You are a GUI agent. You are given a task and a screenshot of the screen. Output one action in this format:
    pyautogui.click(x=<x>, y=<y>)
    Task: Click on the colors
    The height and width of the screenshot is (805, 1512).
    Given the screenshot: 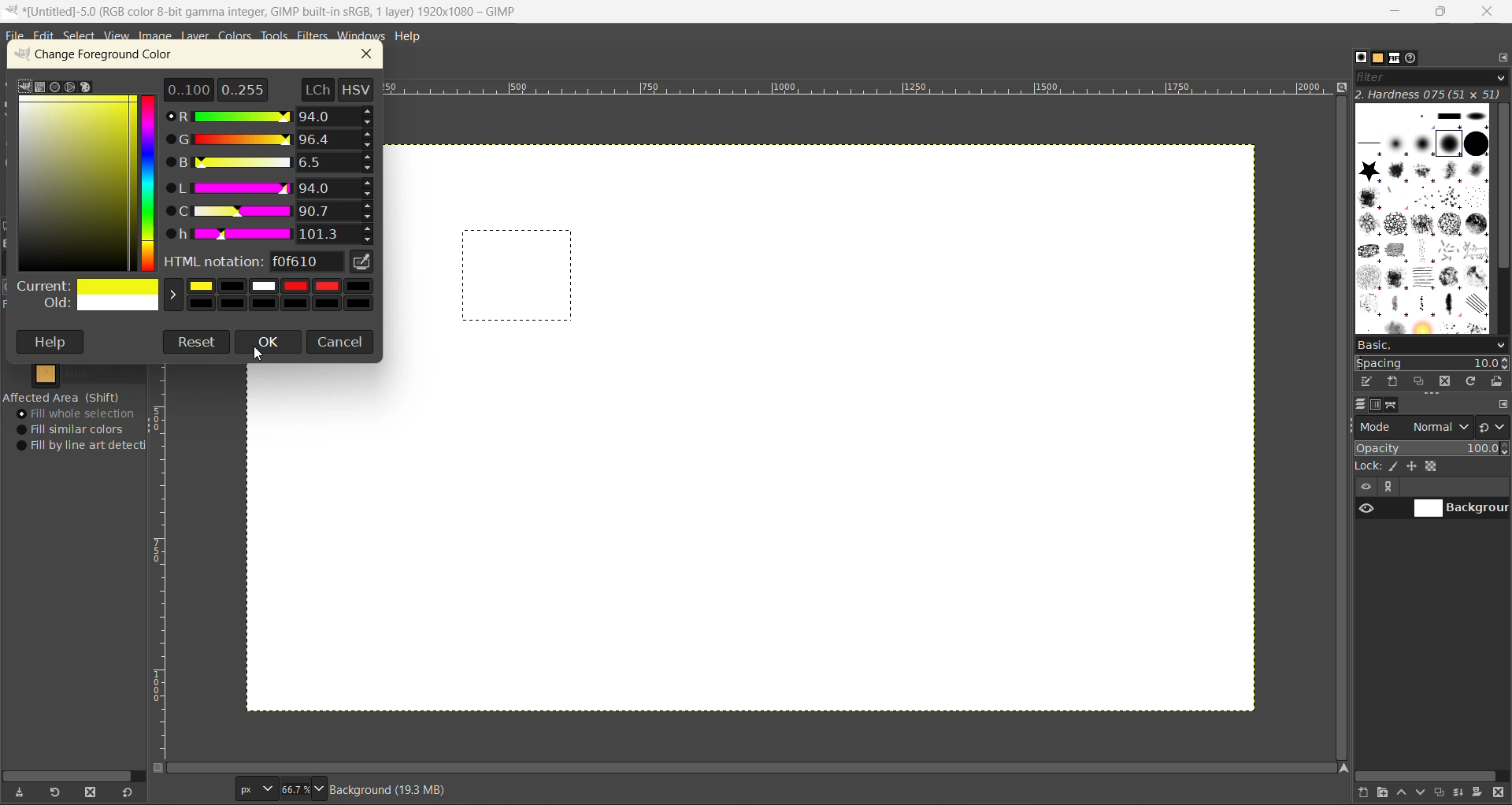 What is the action you would take?
    pyautogui.click(x=237, y=37)
    